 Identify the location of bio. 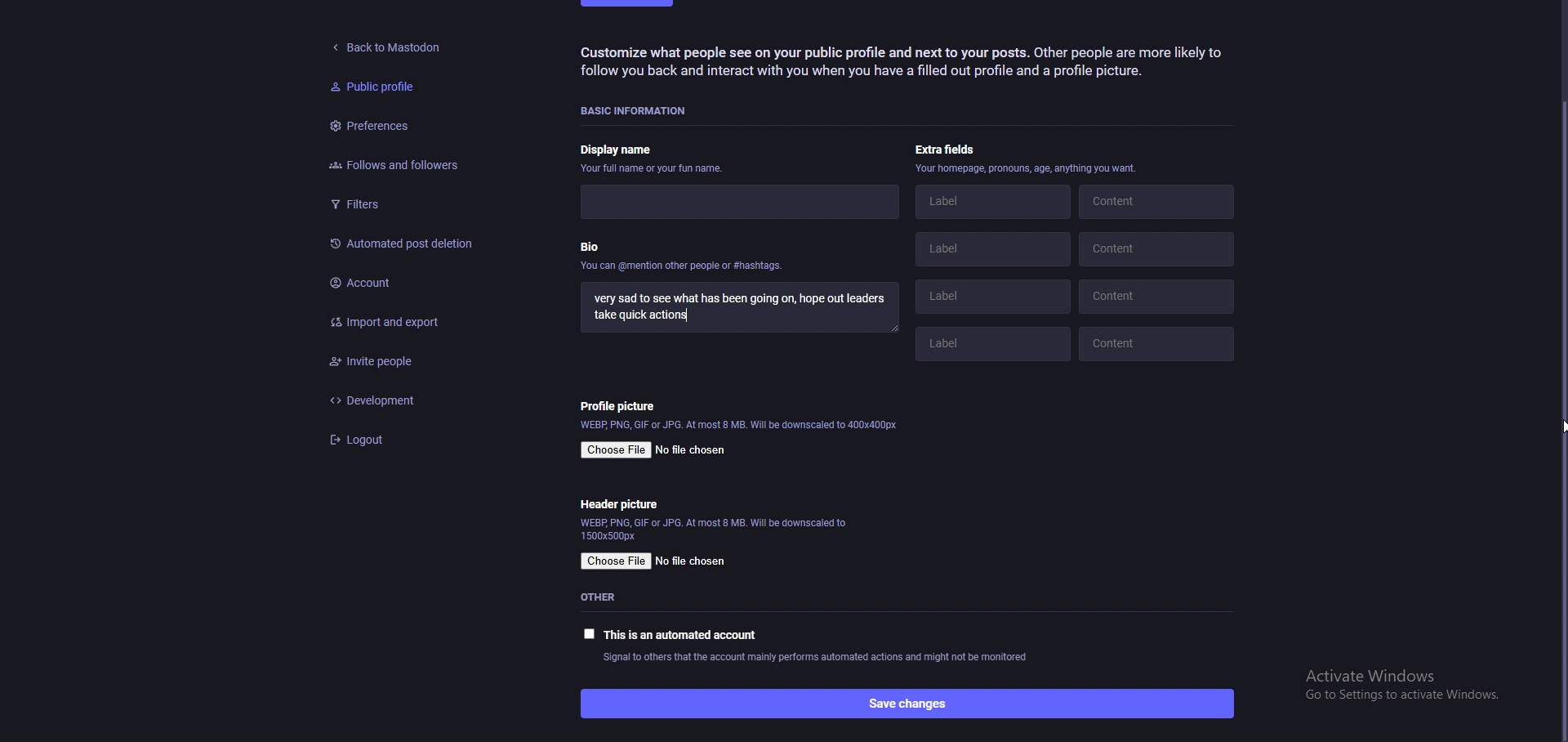
(741, 310).